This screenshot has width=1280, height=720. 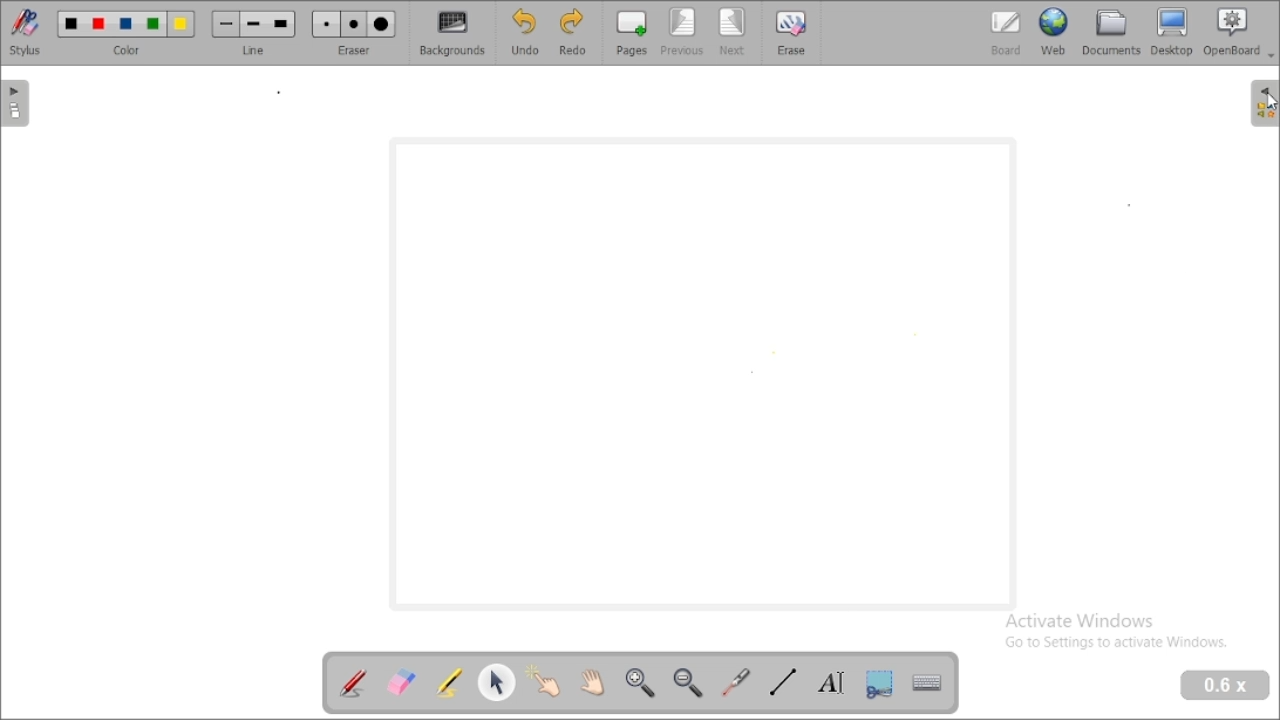 I want to click on previous, so click(x=683, y=33).